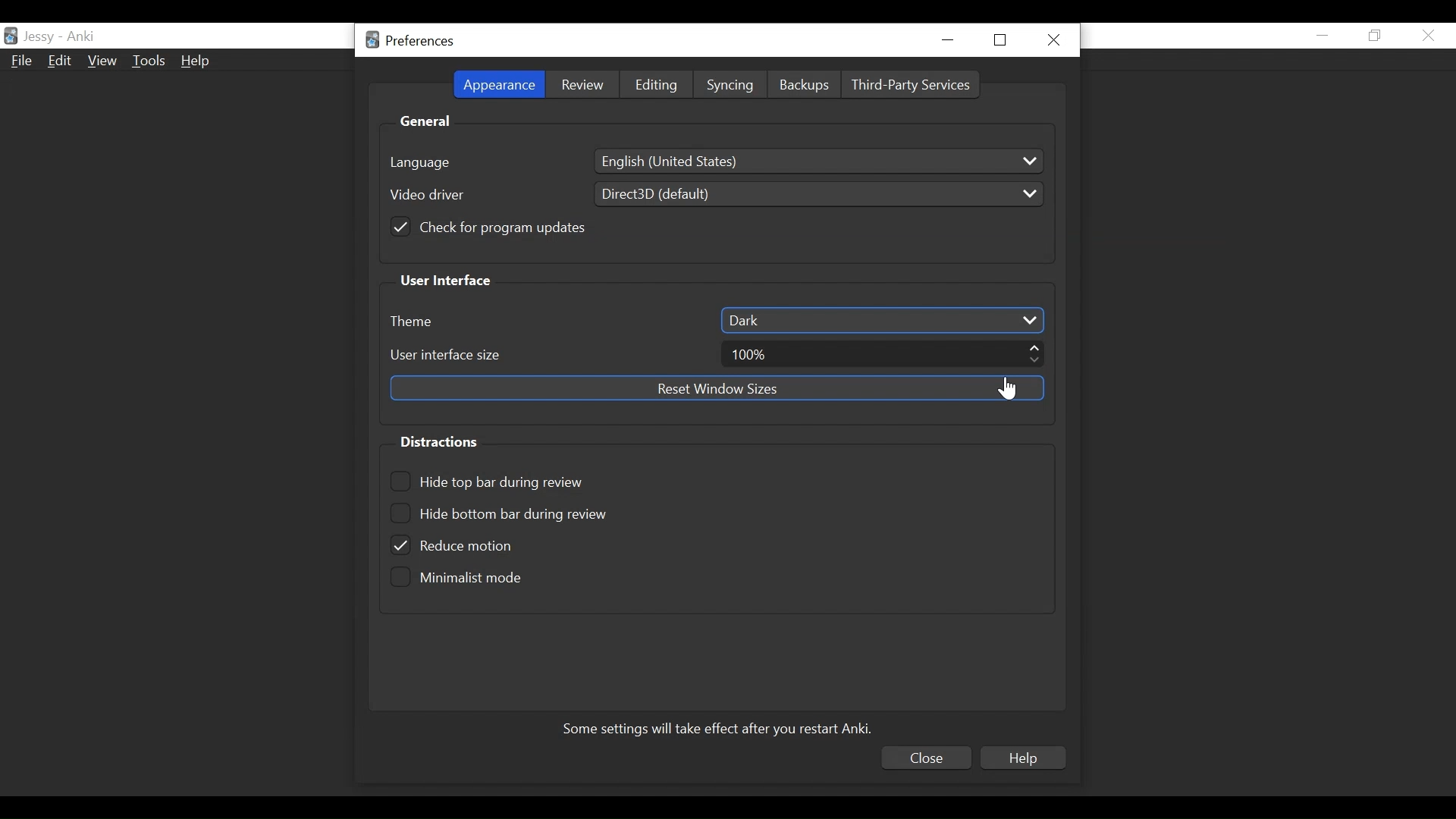 This screenshot has width=1456, height=819. I want to click on User Interface, so click(444, 281).